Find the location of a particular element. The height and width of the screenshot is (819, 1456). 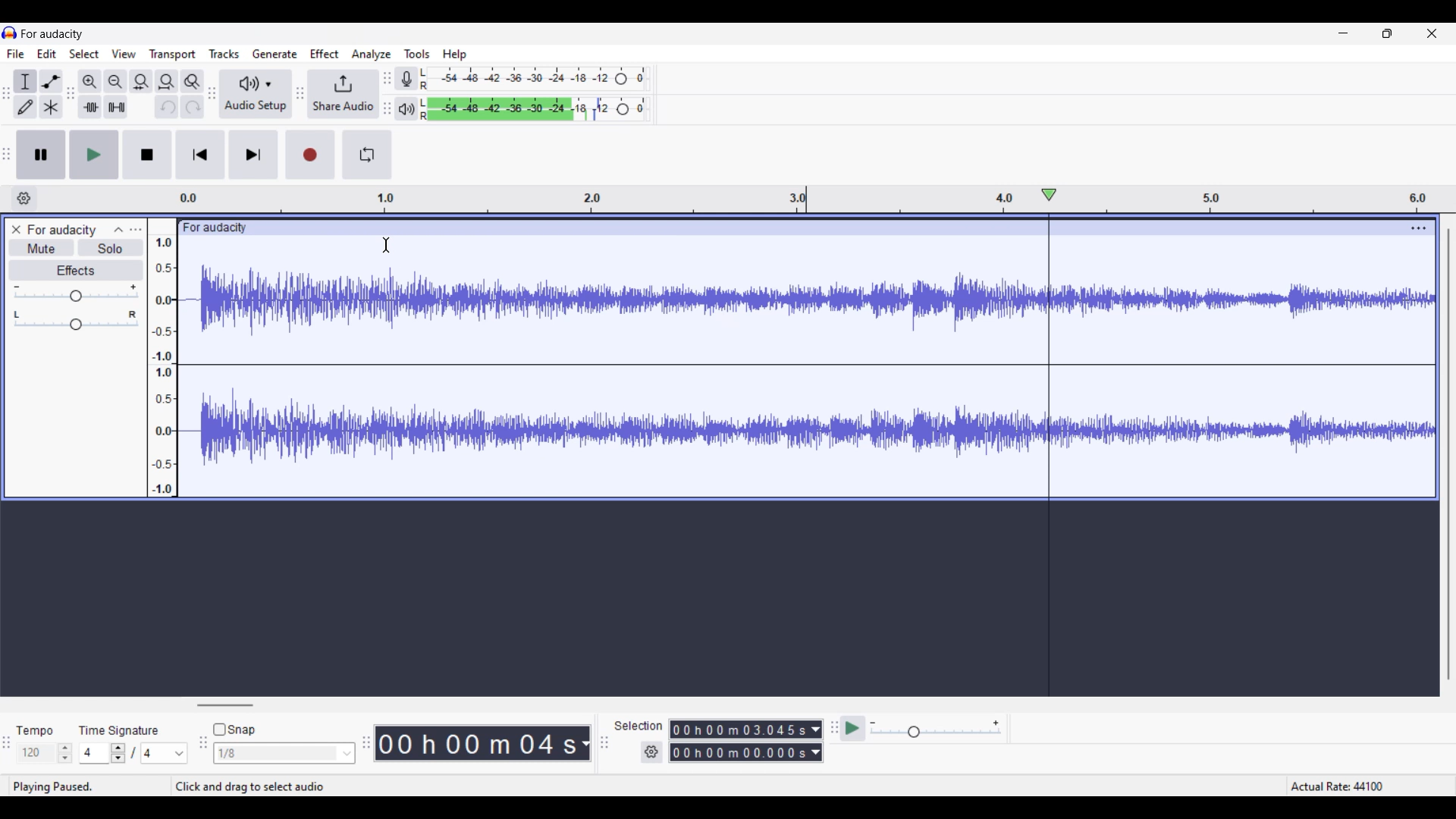

Edit menu is located at coordinates (46, 54).